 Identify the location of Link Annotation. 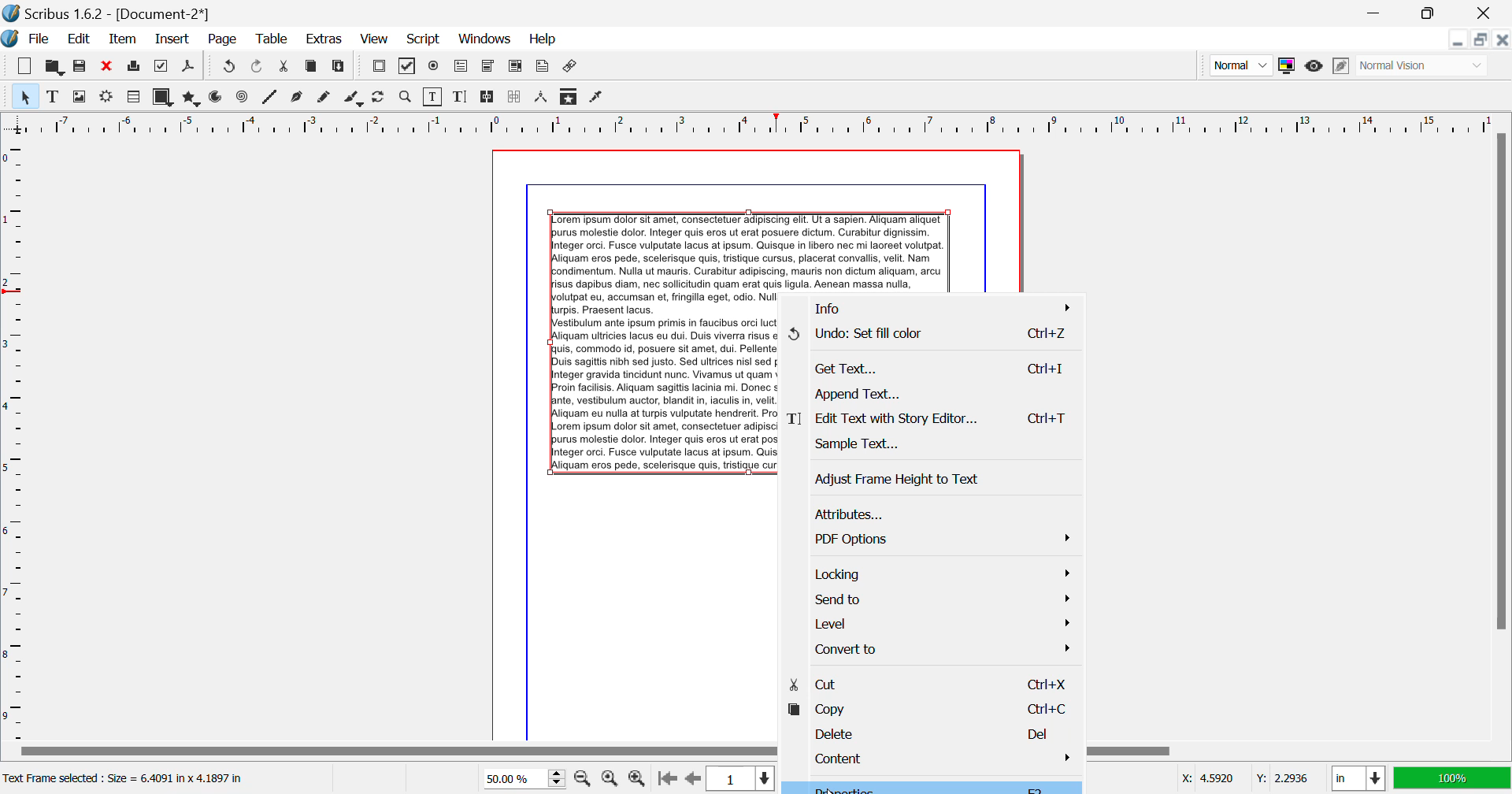
(572, 68).